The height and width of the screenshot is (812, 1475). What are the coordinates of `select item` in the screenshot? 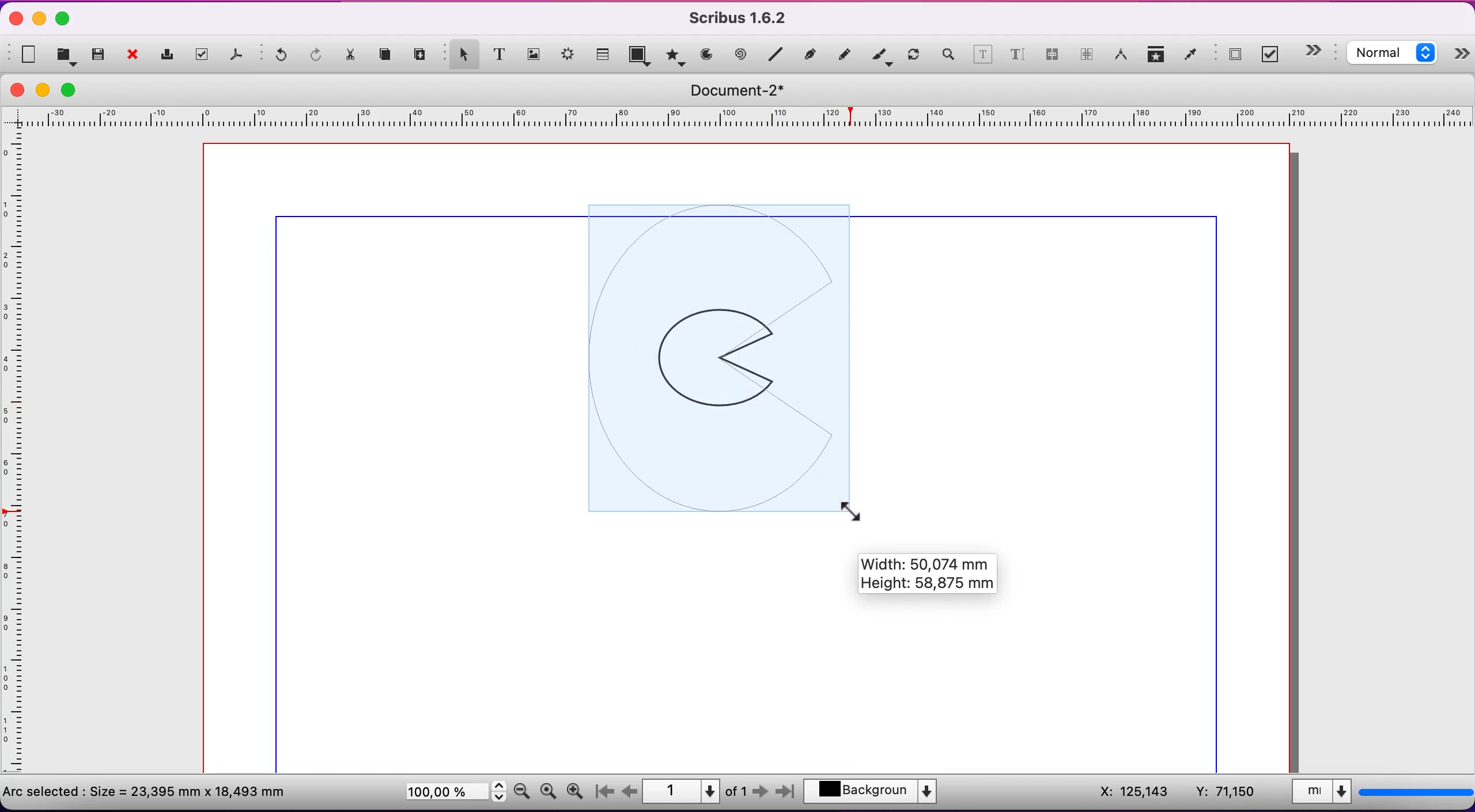 It's located at (461, 53).